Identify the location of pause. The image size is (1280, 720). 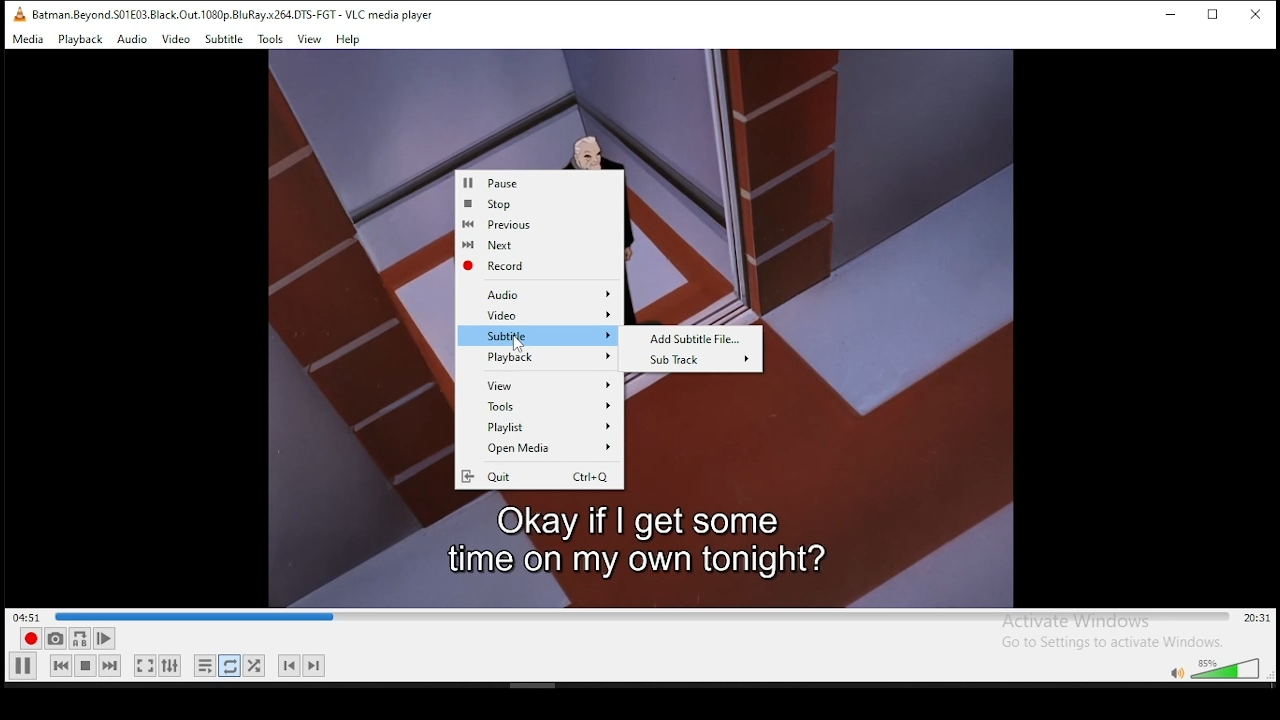
(85, 668).